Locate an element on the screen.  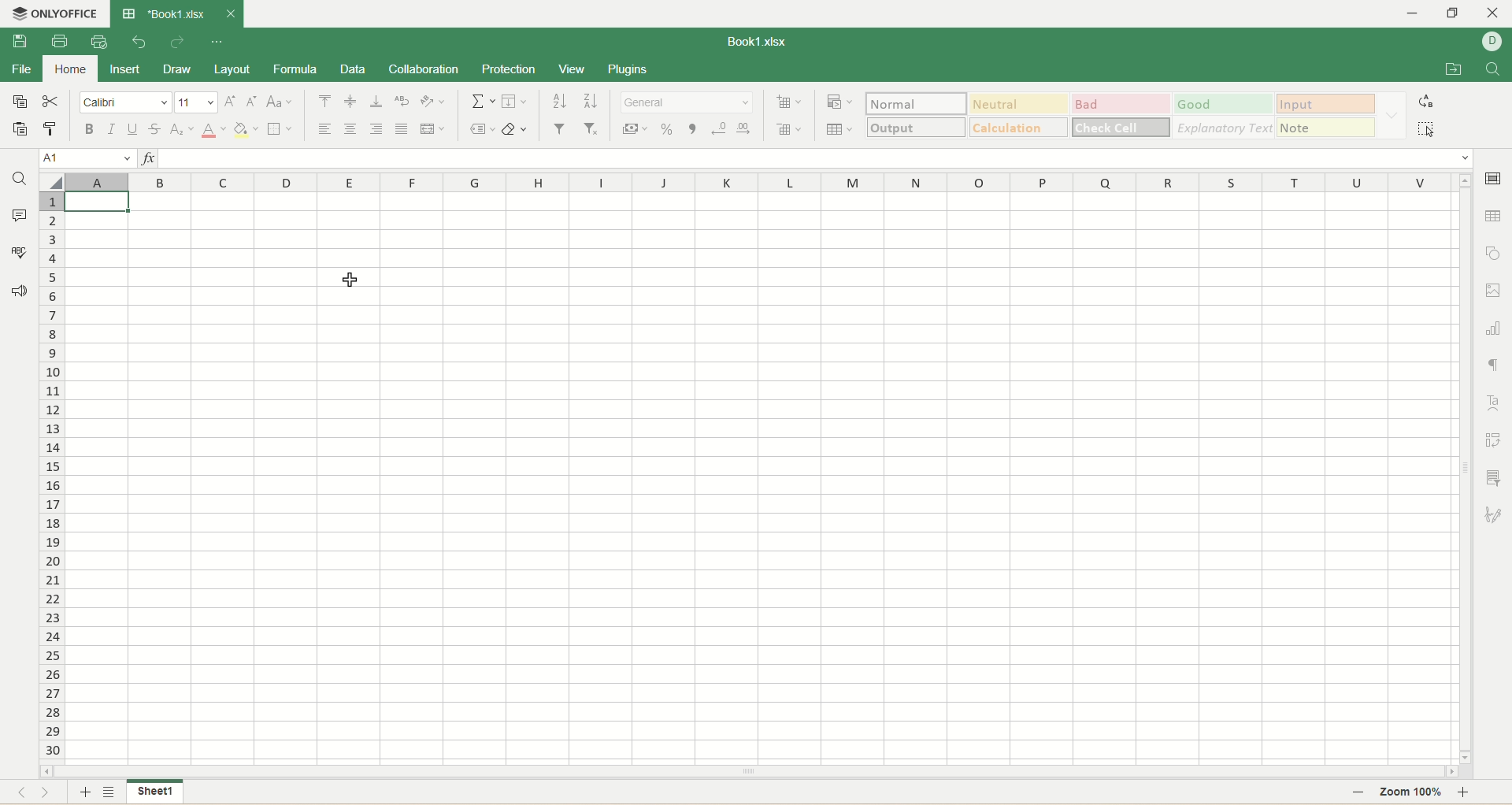
insert is located at coordinates (126, 69).